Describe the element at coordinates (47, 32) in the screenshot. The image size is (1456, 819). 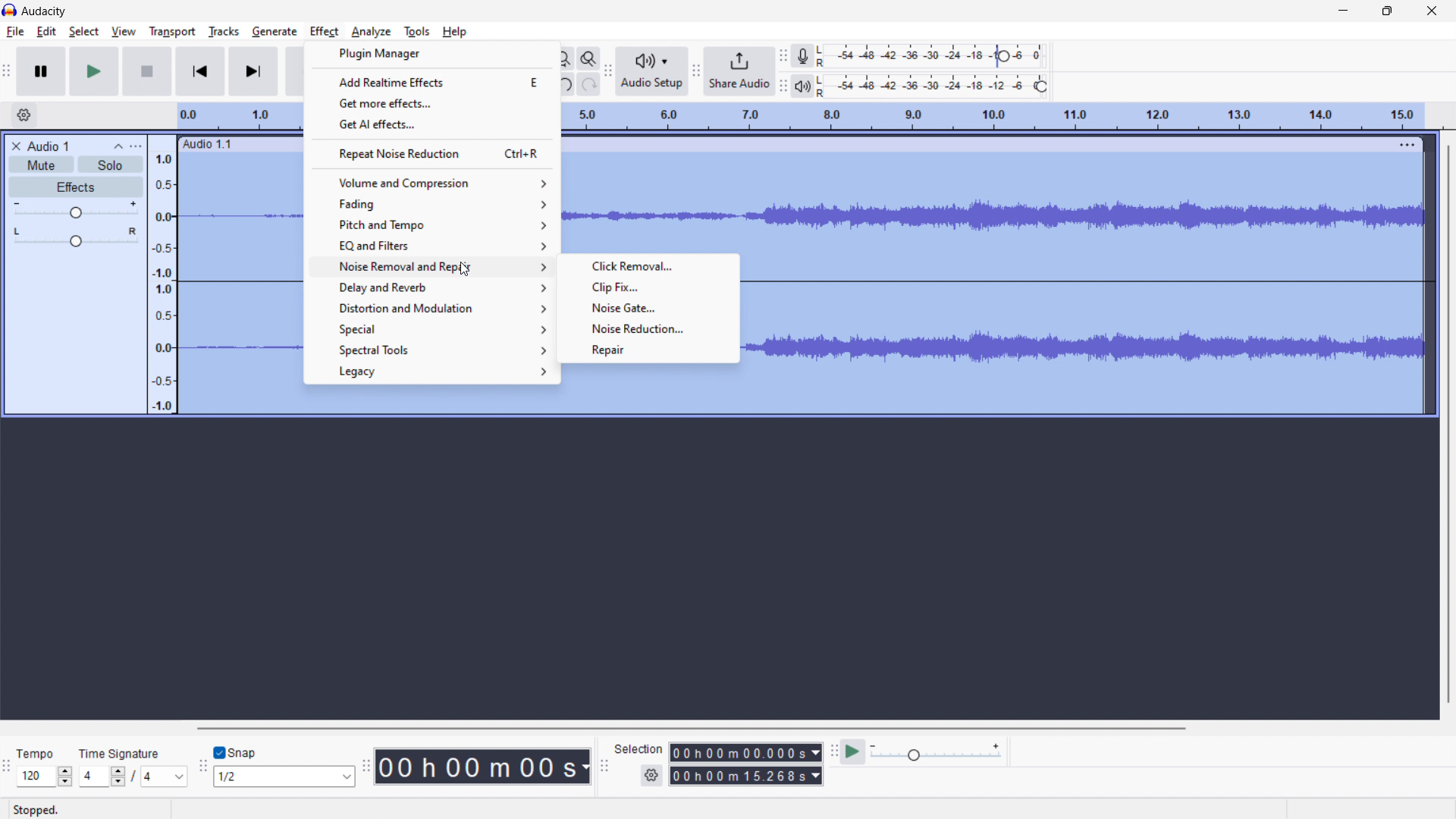
I see `edit` at that location.